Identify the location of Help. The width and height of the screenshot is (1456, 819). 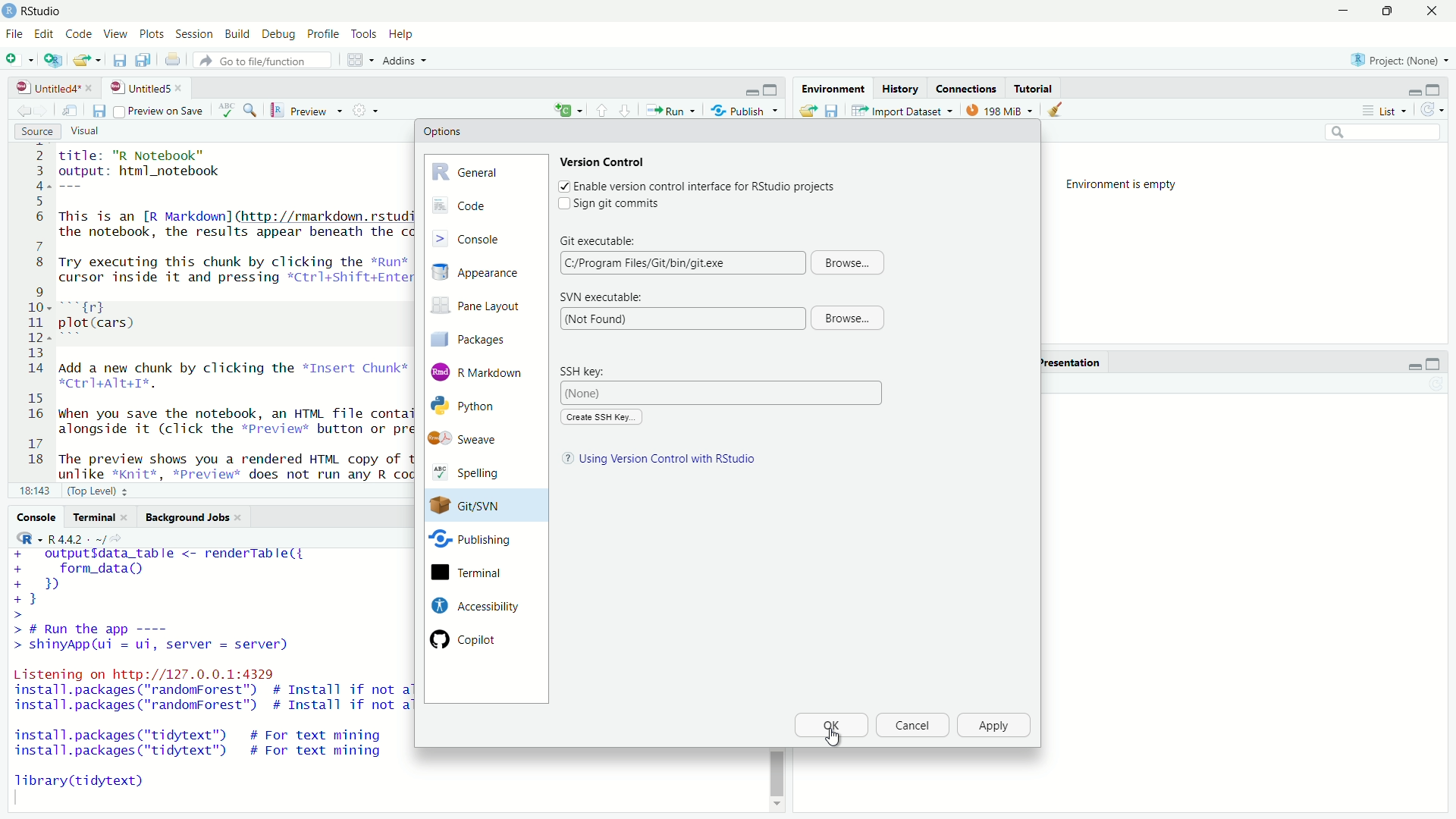
(403, 35).